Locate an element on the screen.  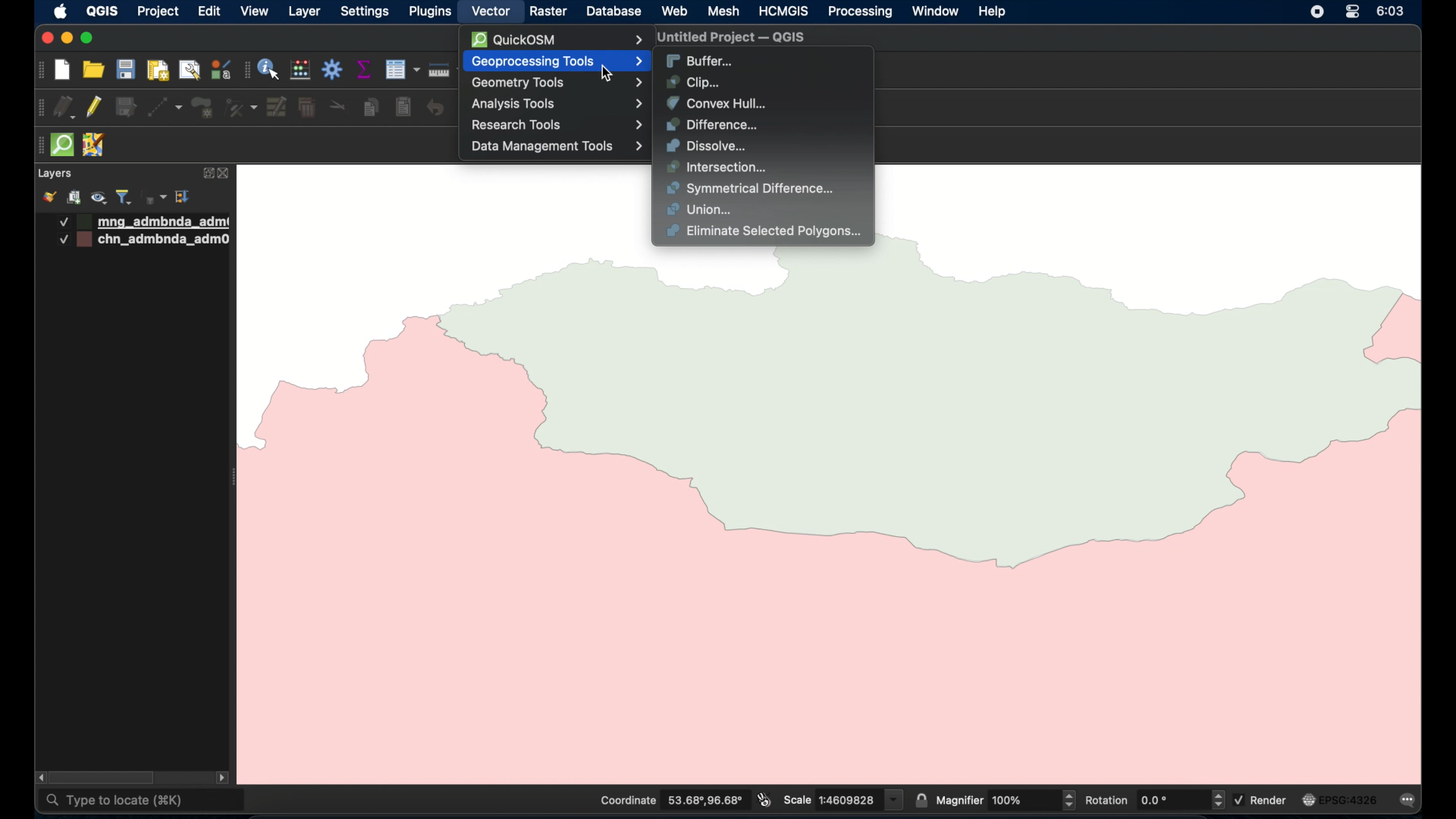
map is located at coordinates (847, 514).